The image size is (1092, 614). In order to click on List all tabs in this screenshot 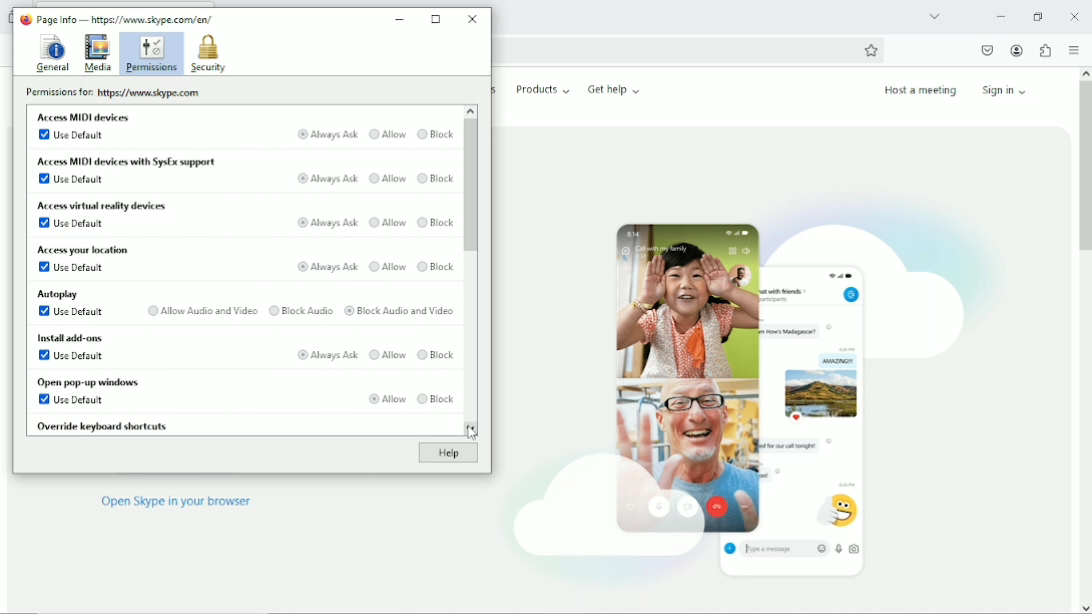, I will do `click(934, 15)`.